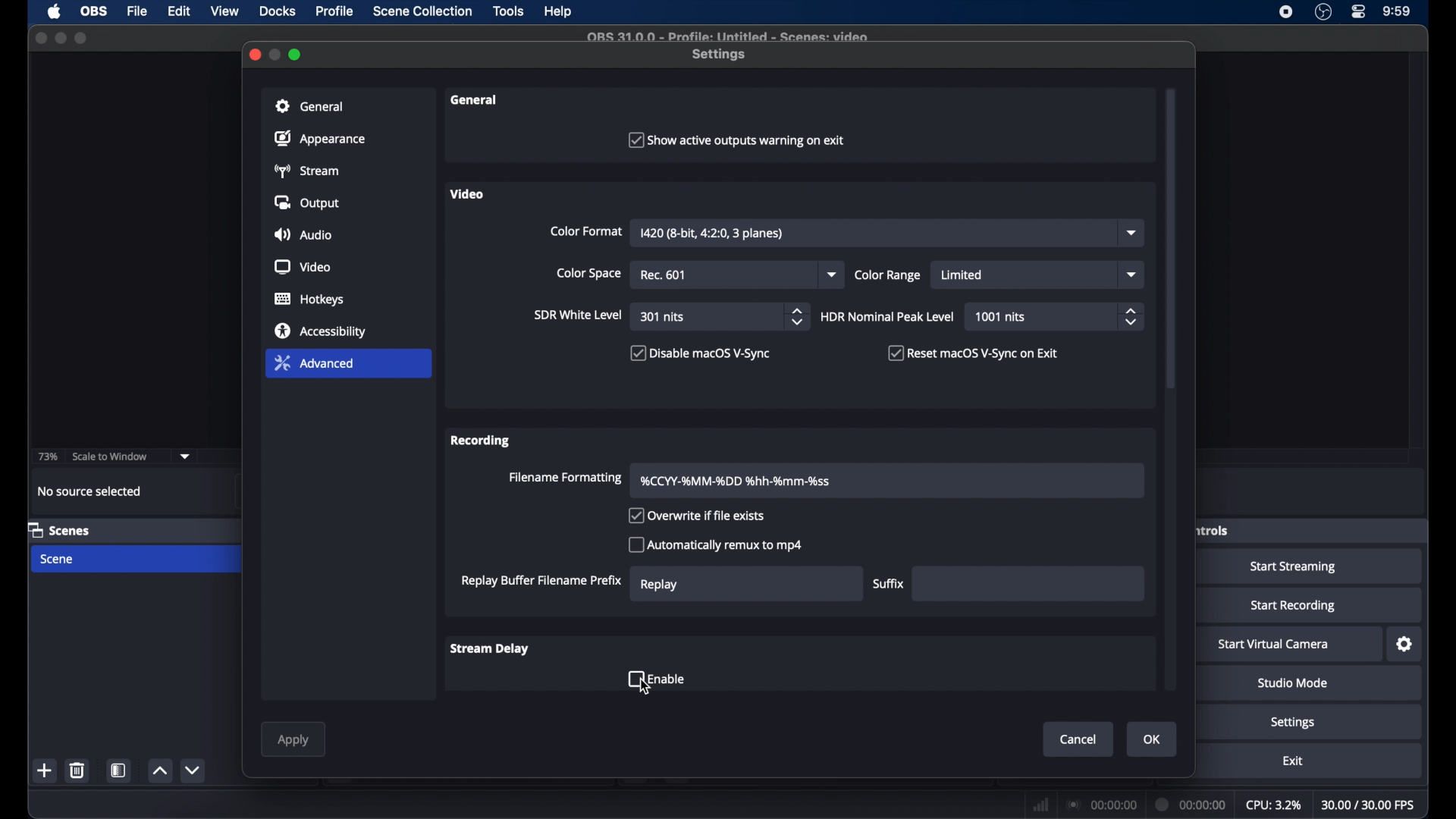  Describe the element at coordinates (160, 772) in the screenshot. I see `increment` at that location.